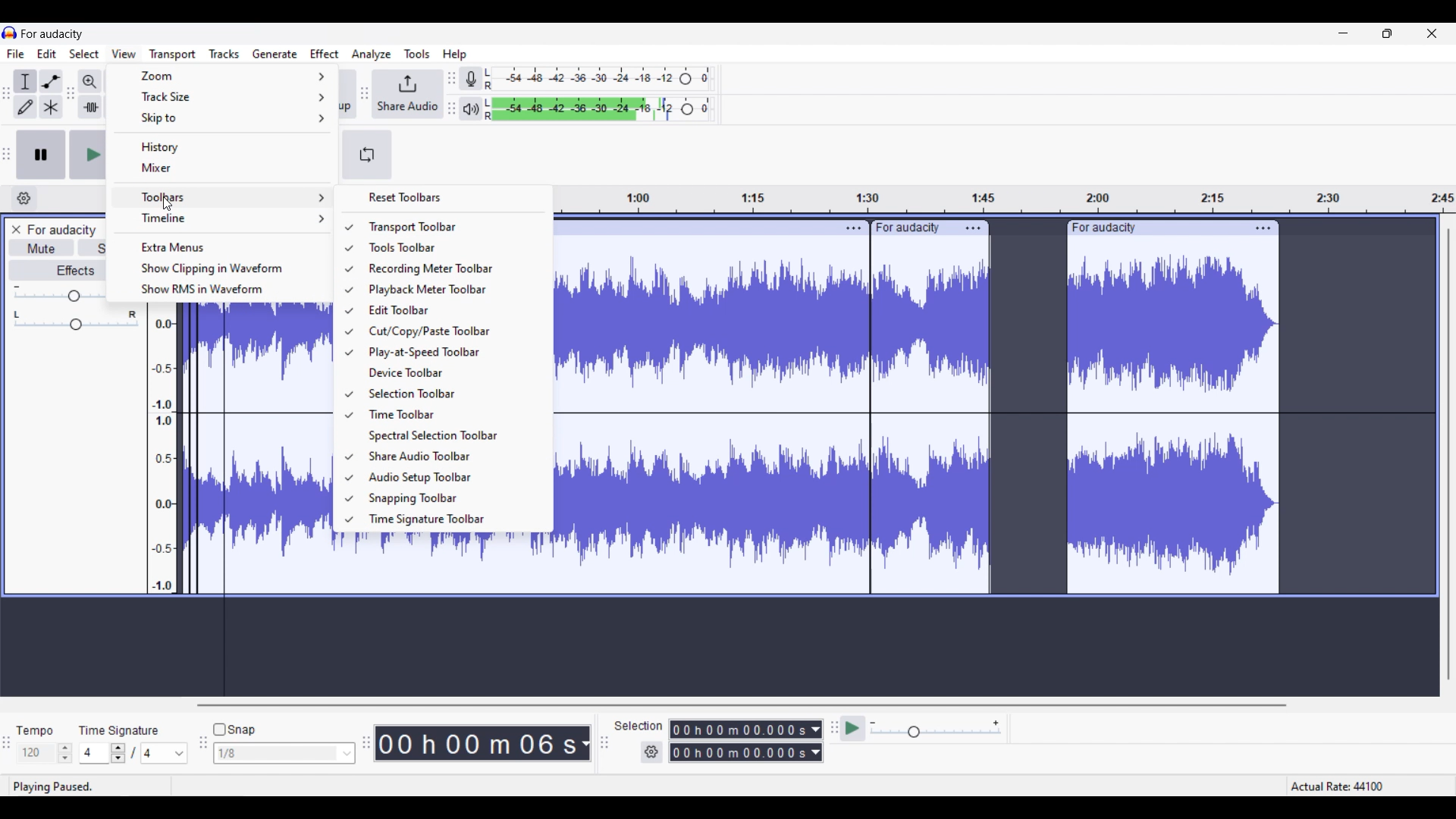  Describe the element at coordinates (172, 55) in the screenshot. I see `Transport menu` at that location.